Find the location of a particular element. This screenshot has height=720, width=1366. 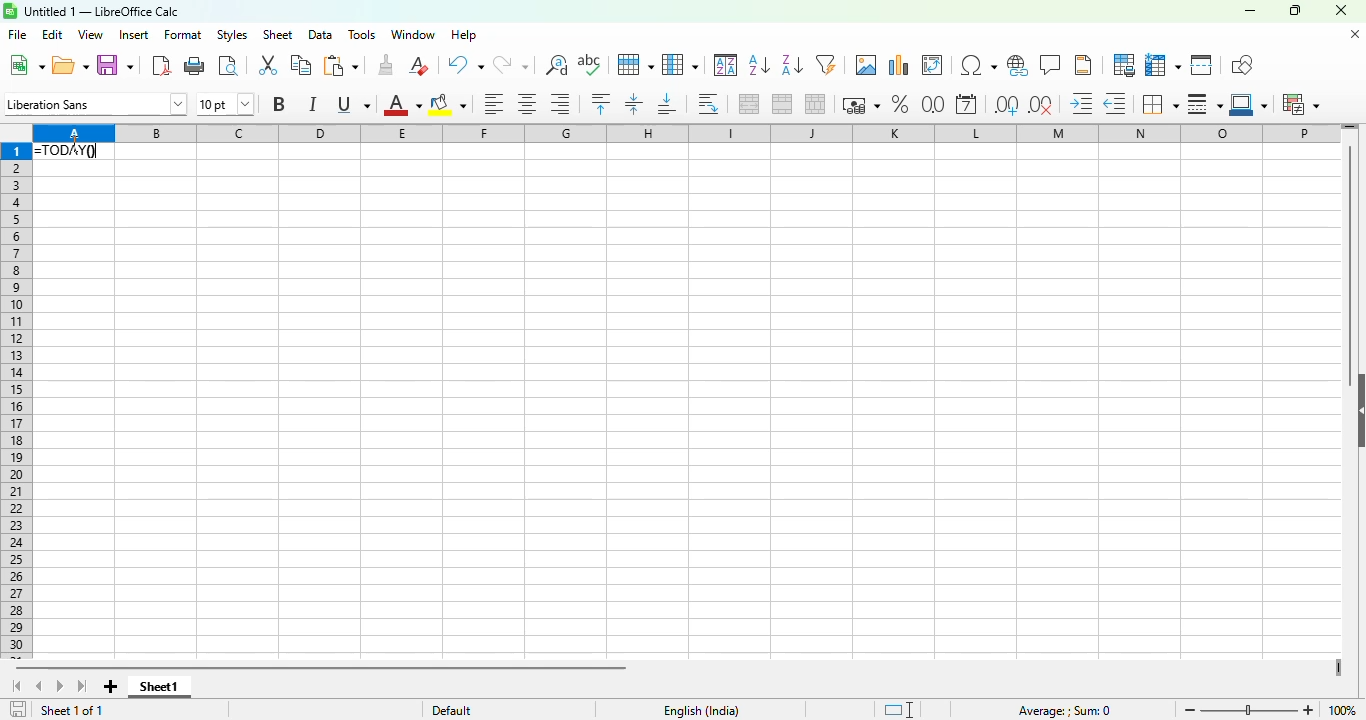

bold is located at coordinates (278, 103).